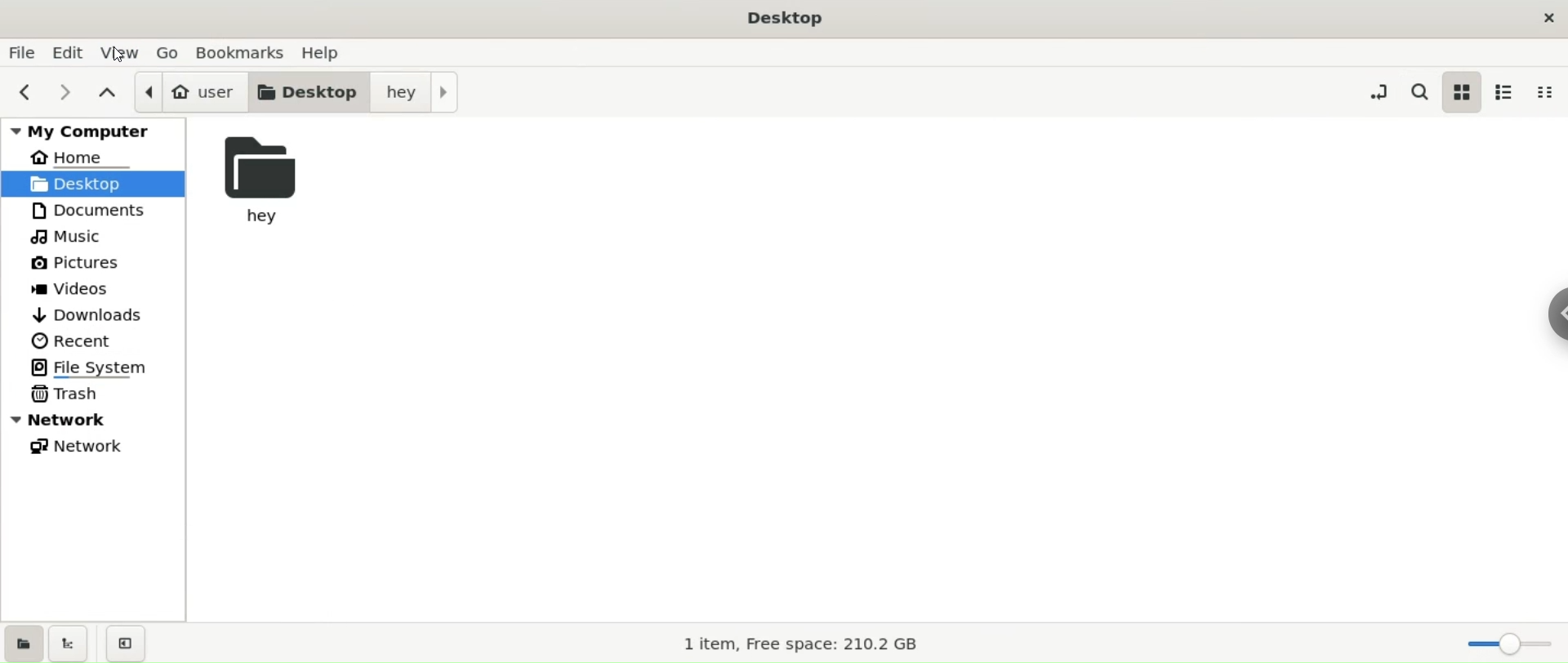 This screenshot has height=663, width=1568. Describe the element at coordinates (118, 52) in the screenshot. I see `cursor` at that location.